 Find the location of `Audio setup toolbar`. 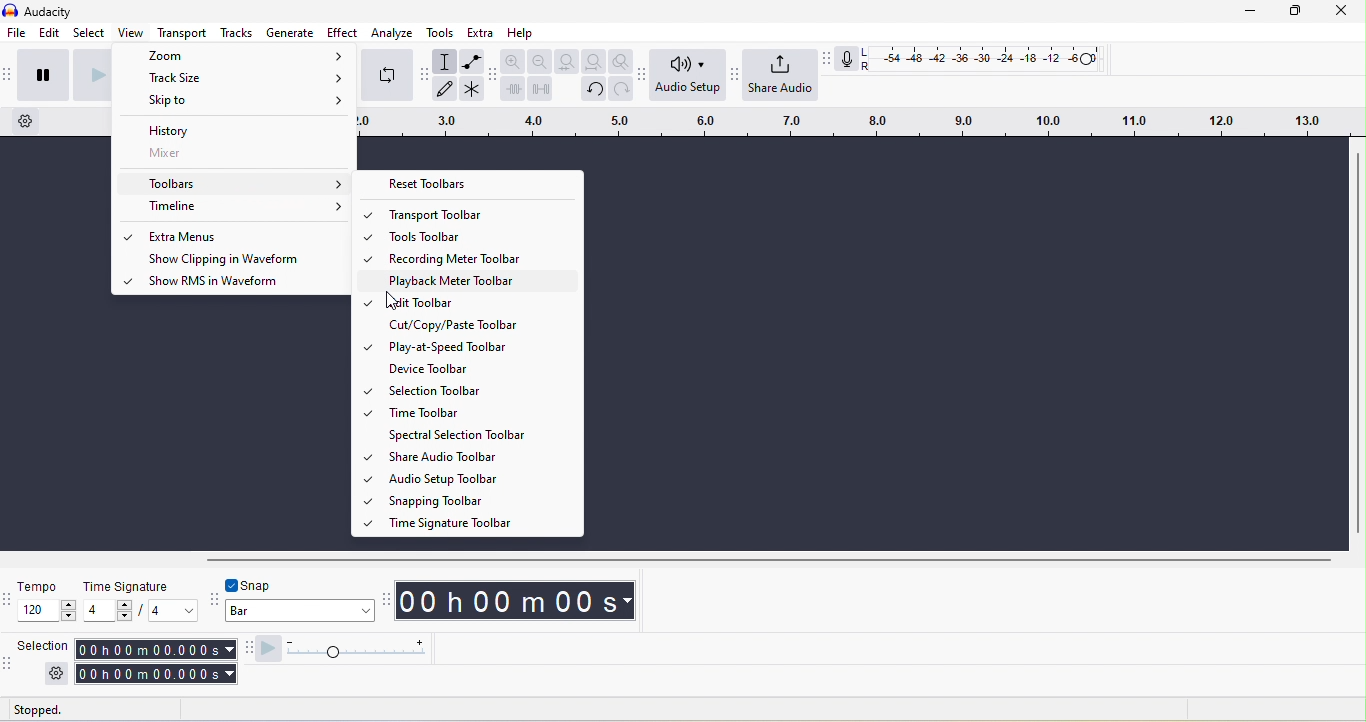

Audio setup toolbar is located at coordinates (479, 478).